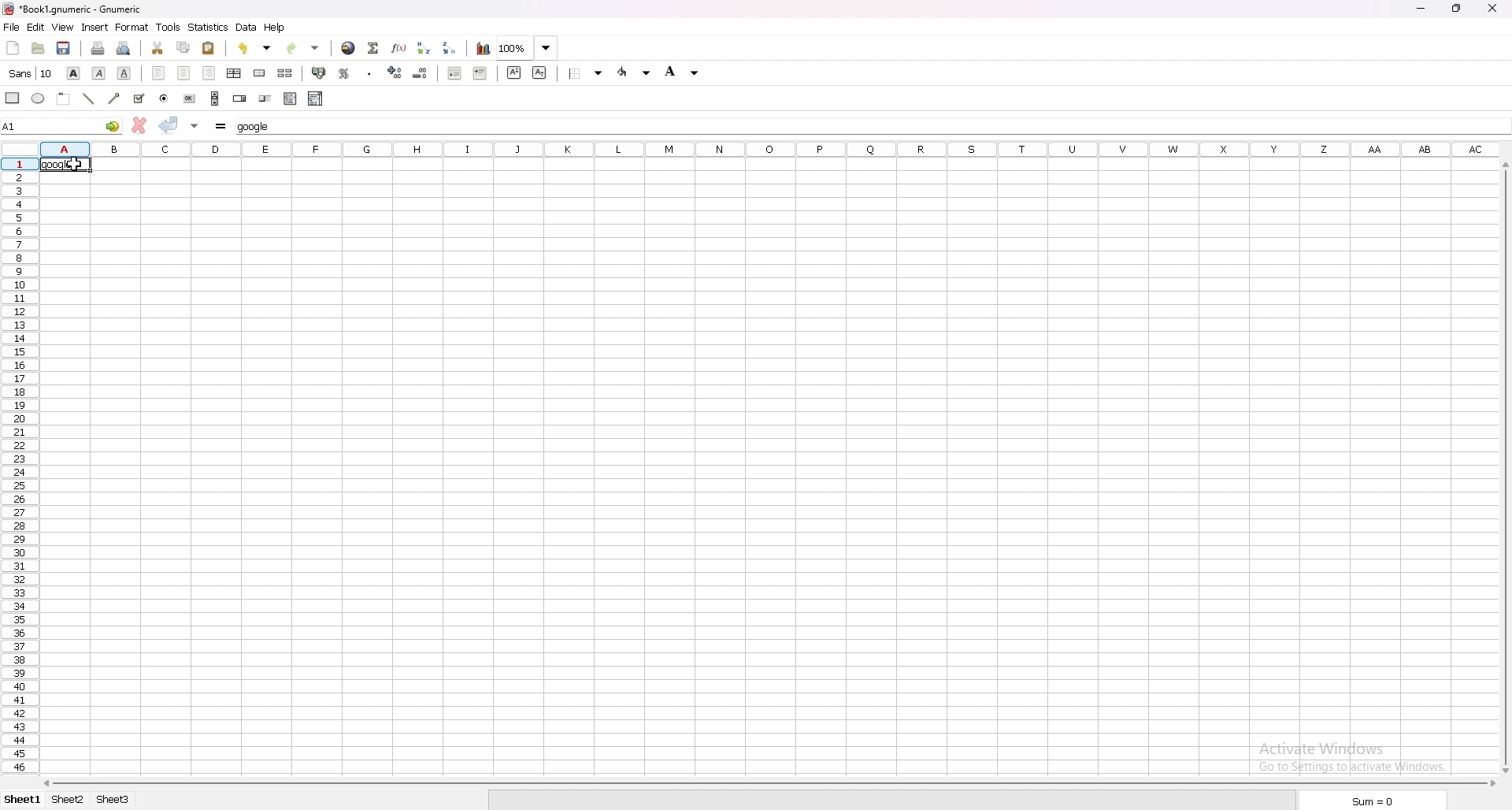 The width and height of the screenshot is (1512, 810). Describe the element at coordinates (157, 48) in the screenshot. I see `cut` at that location.